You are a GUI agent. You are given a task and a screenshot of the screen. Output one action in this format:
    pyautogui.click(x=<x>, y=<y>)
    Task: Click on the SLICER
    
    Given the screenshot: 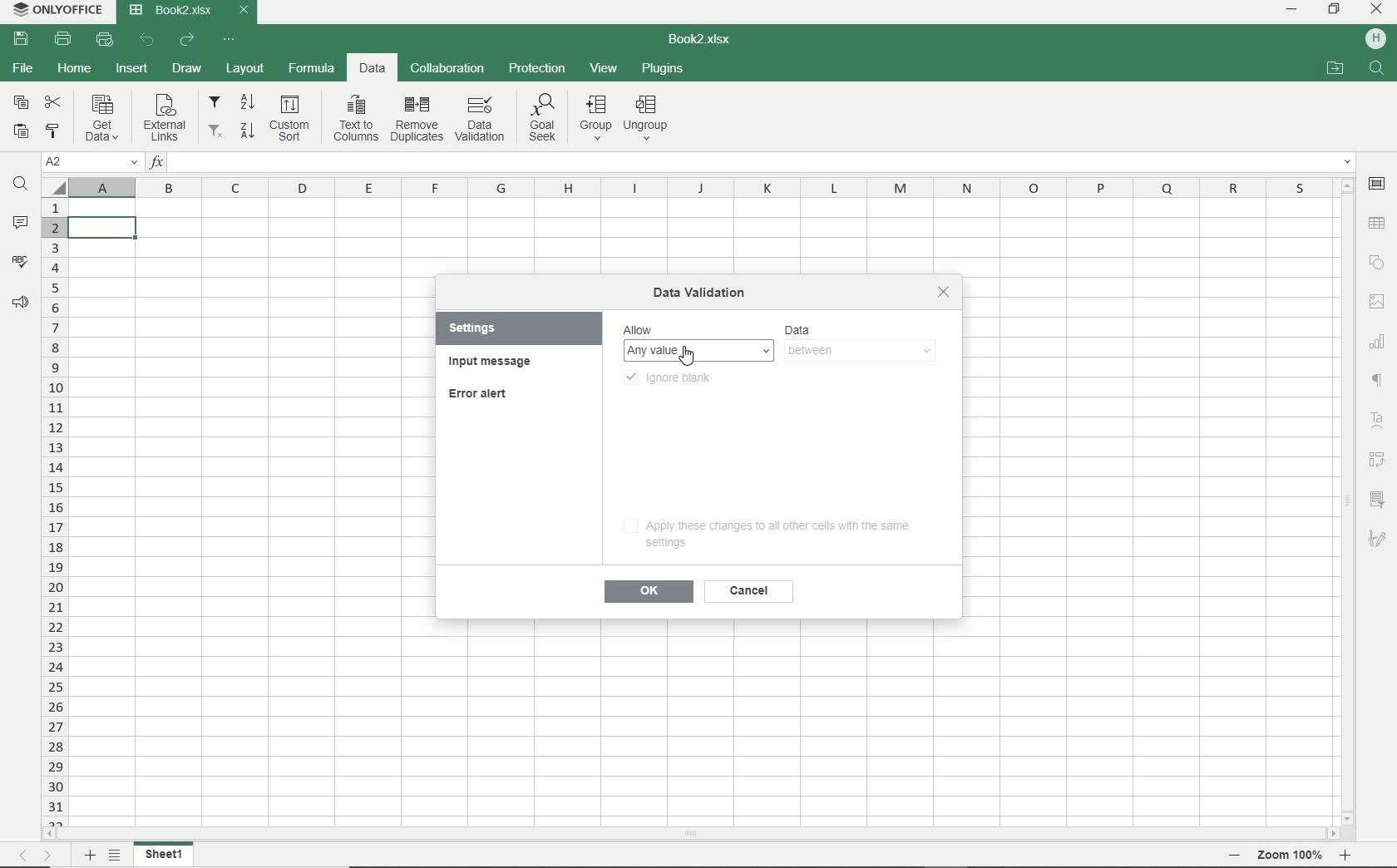 What is the action you would take?
    pyautogui.click(x=1377, y=501)
    